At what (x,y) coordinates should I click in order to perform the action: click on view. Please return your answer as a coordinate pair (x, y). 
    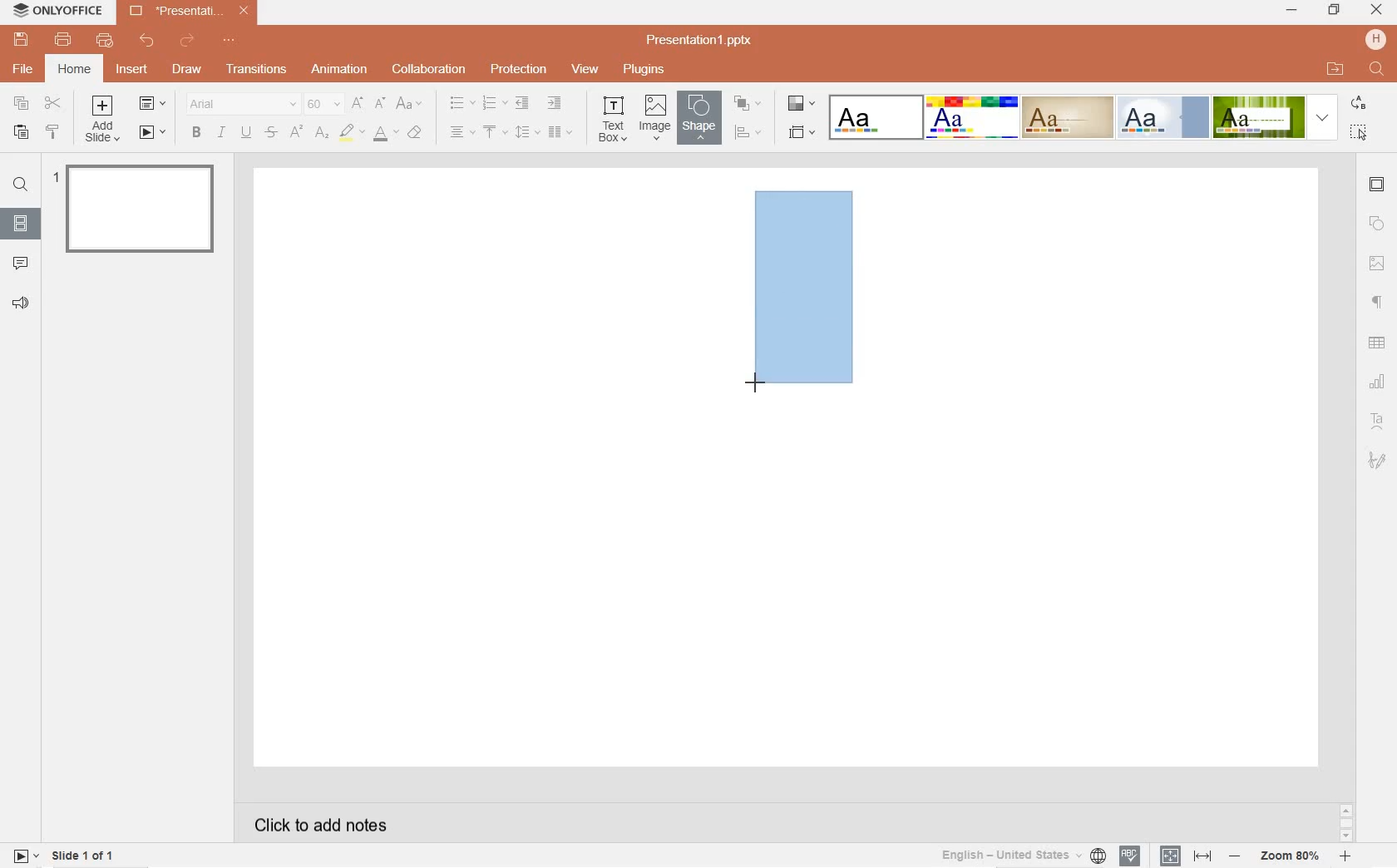
    Looking at the image, I should click on (585, 70).